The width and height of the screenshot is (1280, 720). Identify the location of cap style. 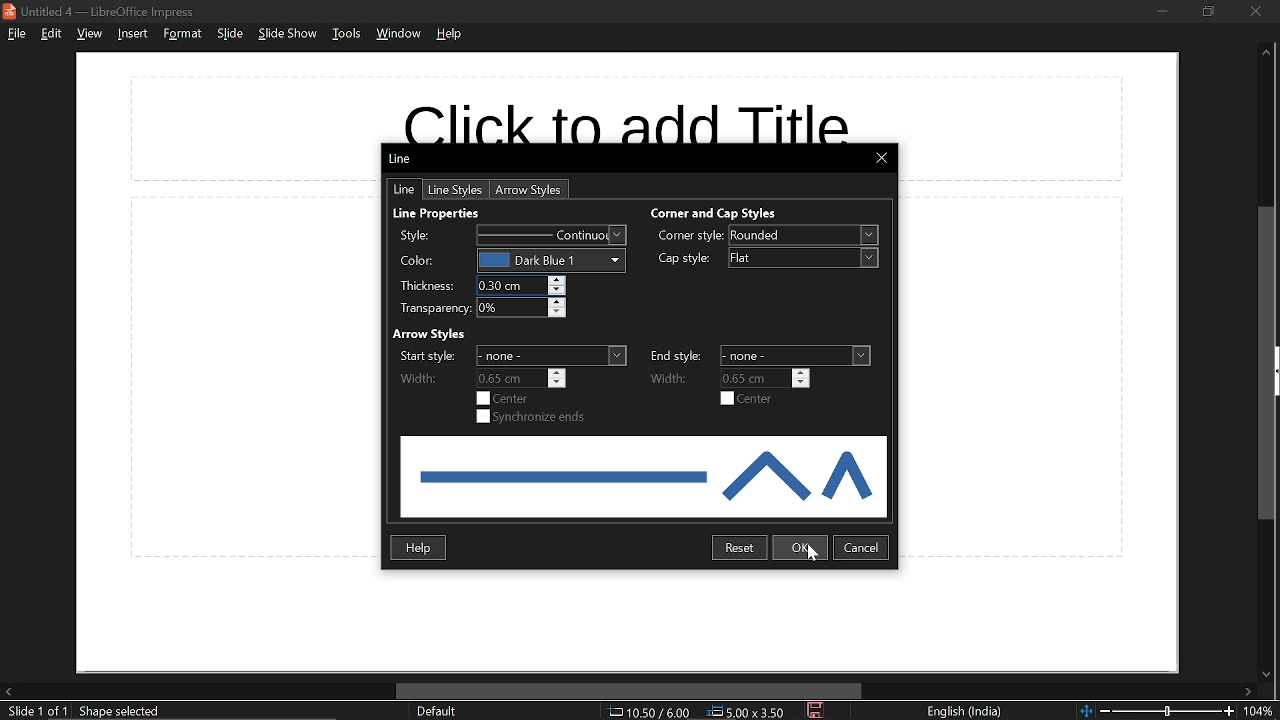
(802, 258).